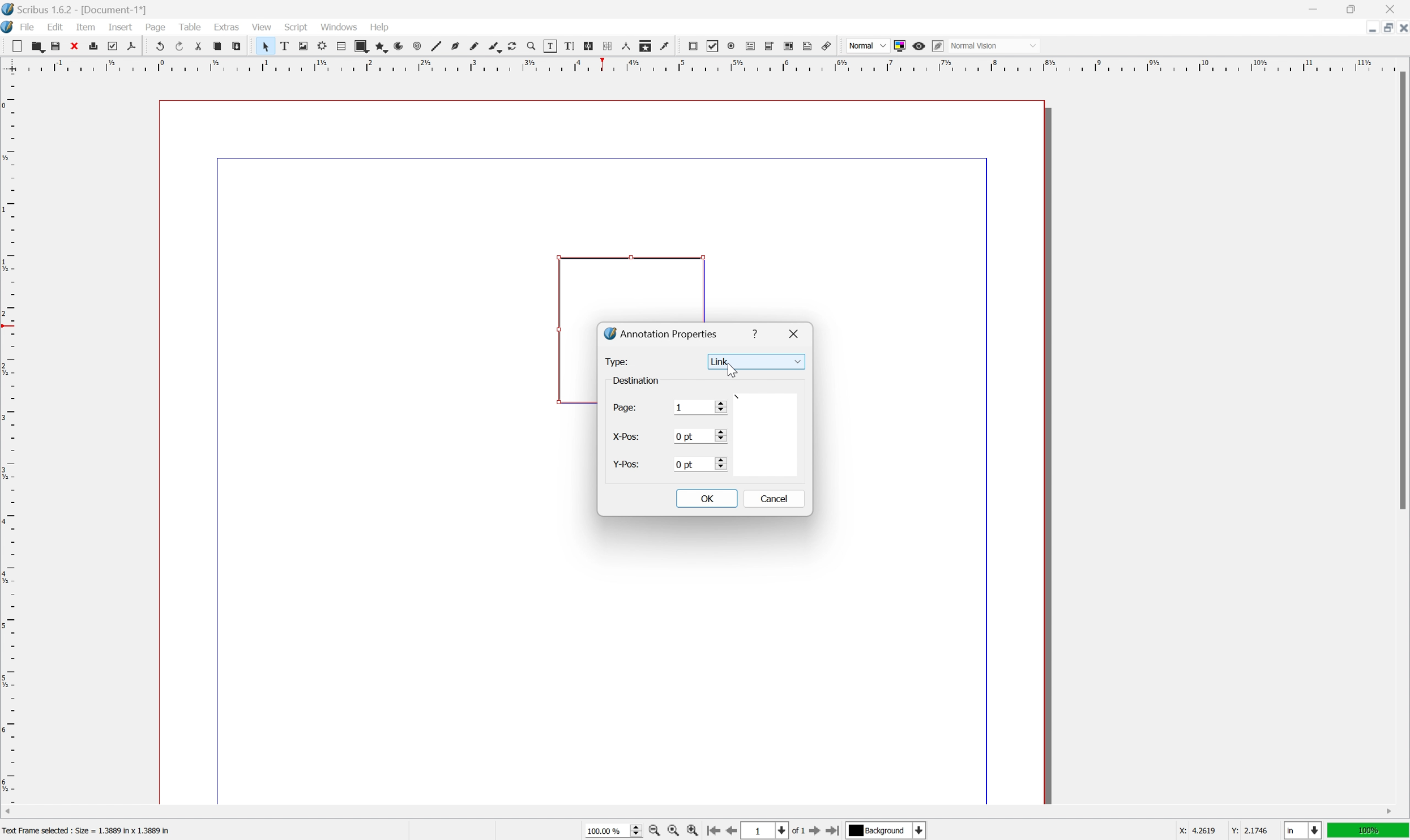  What do you see at coordinates (381, 28) in the screenshot?
I see `Help` at bounding box center [381, 28].